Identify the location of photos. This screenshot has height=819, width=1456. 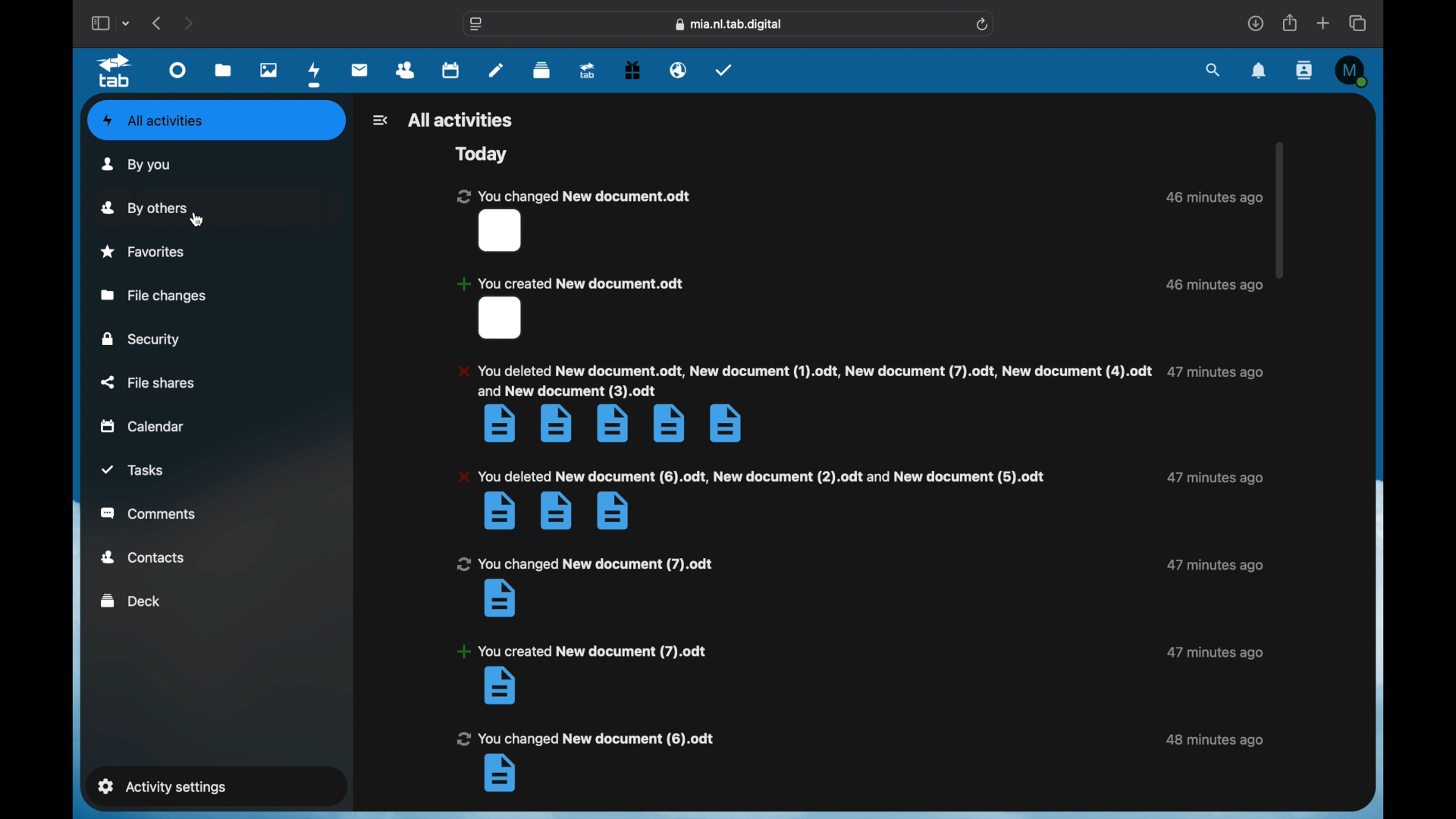
(269, 71).